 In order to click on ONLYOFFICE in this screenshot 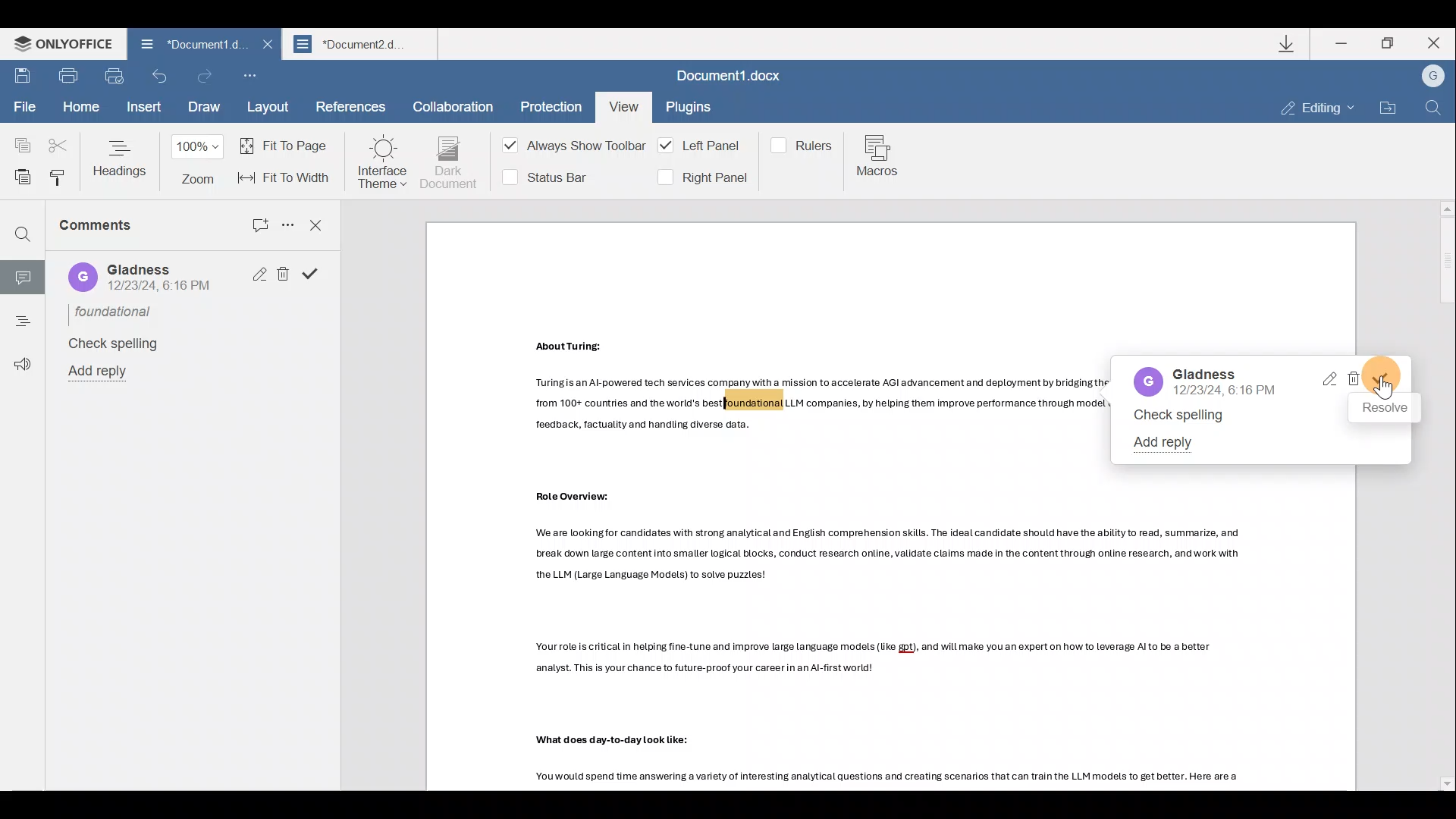, I will do `click(59, 45)`.